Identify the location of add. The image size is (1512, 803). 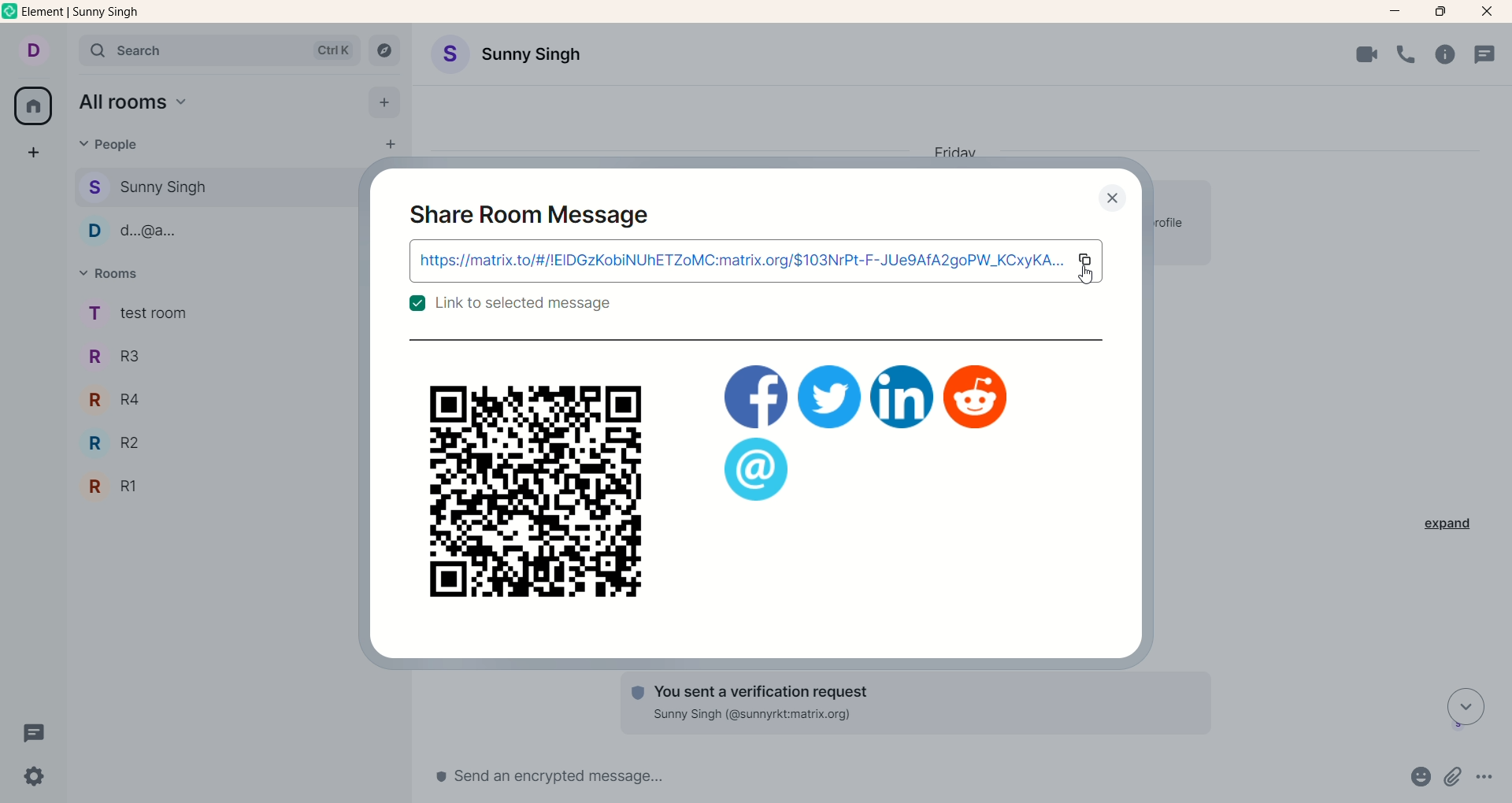
(386, 105).